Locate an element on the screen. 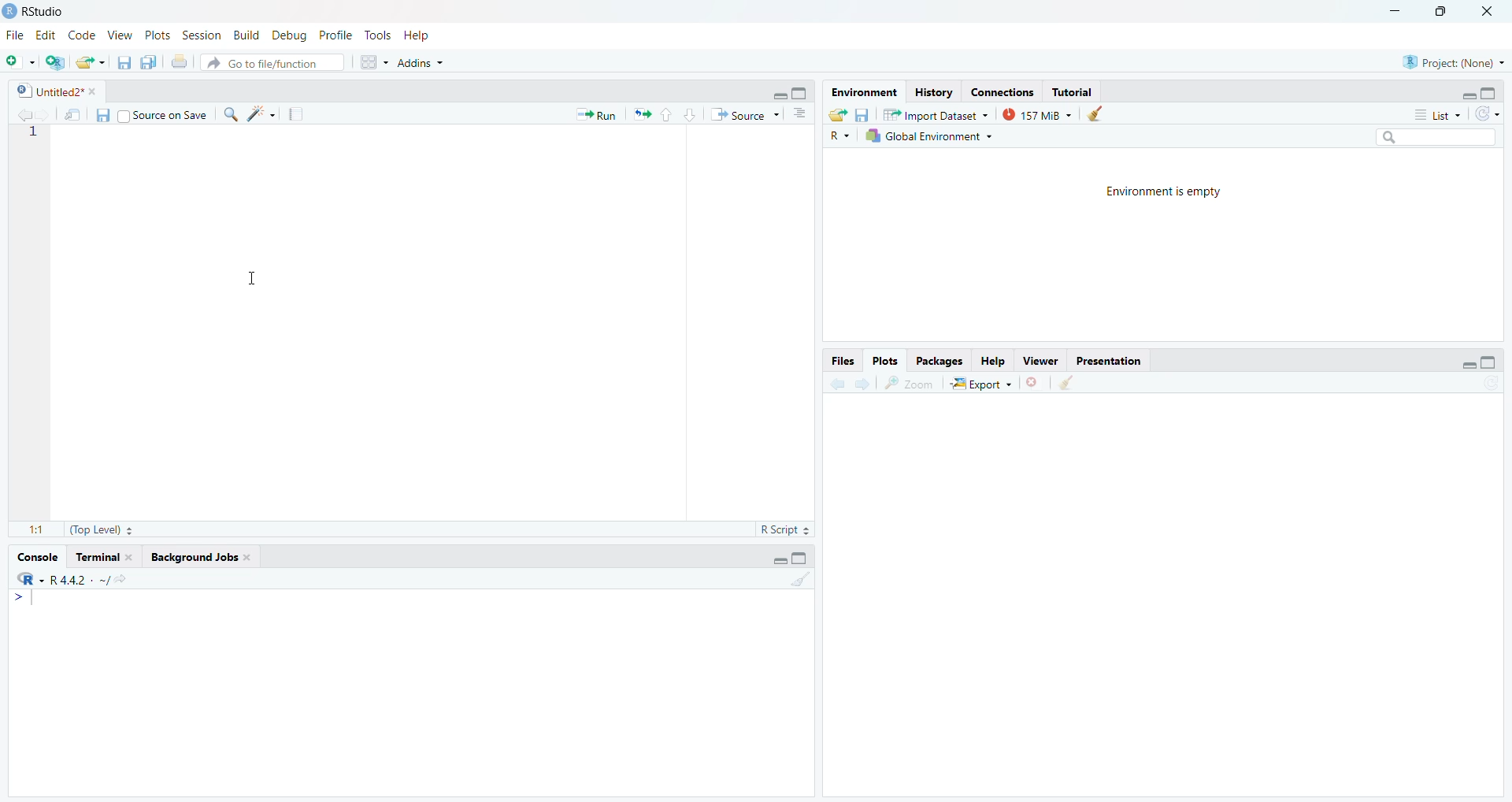 Image resolution: width=1512 pixels, height=802 pixels. Tutorial is located at coordinates (1073, 91).